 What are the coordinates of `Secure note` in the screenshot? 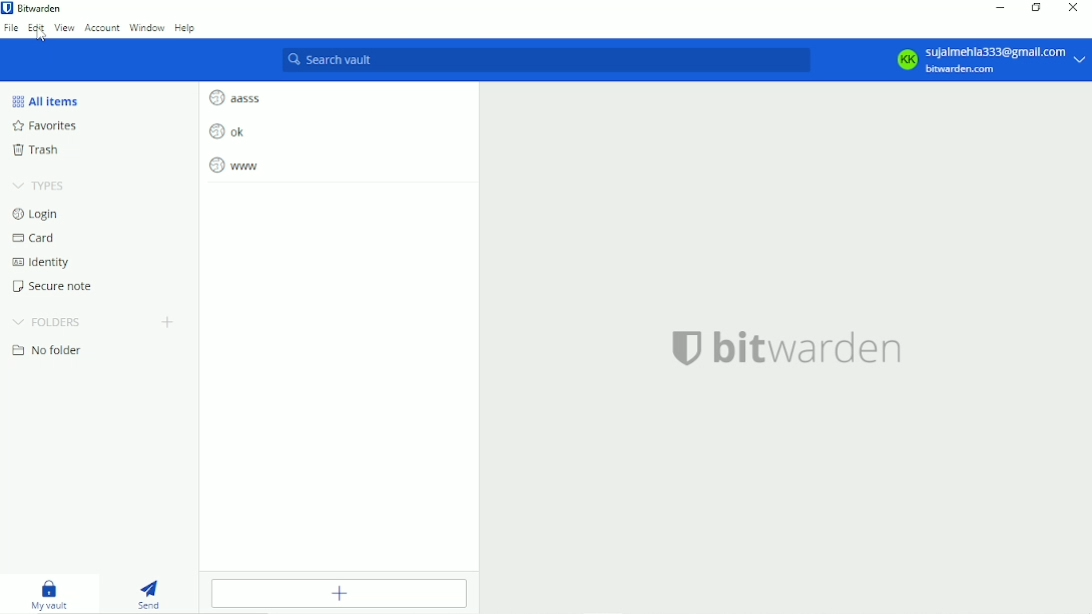 It's located at (58, 286).